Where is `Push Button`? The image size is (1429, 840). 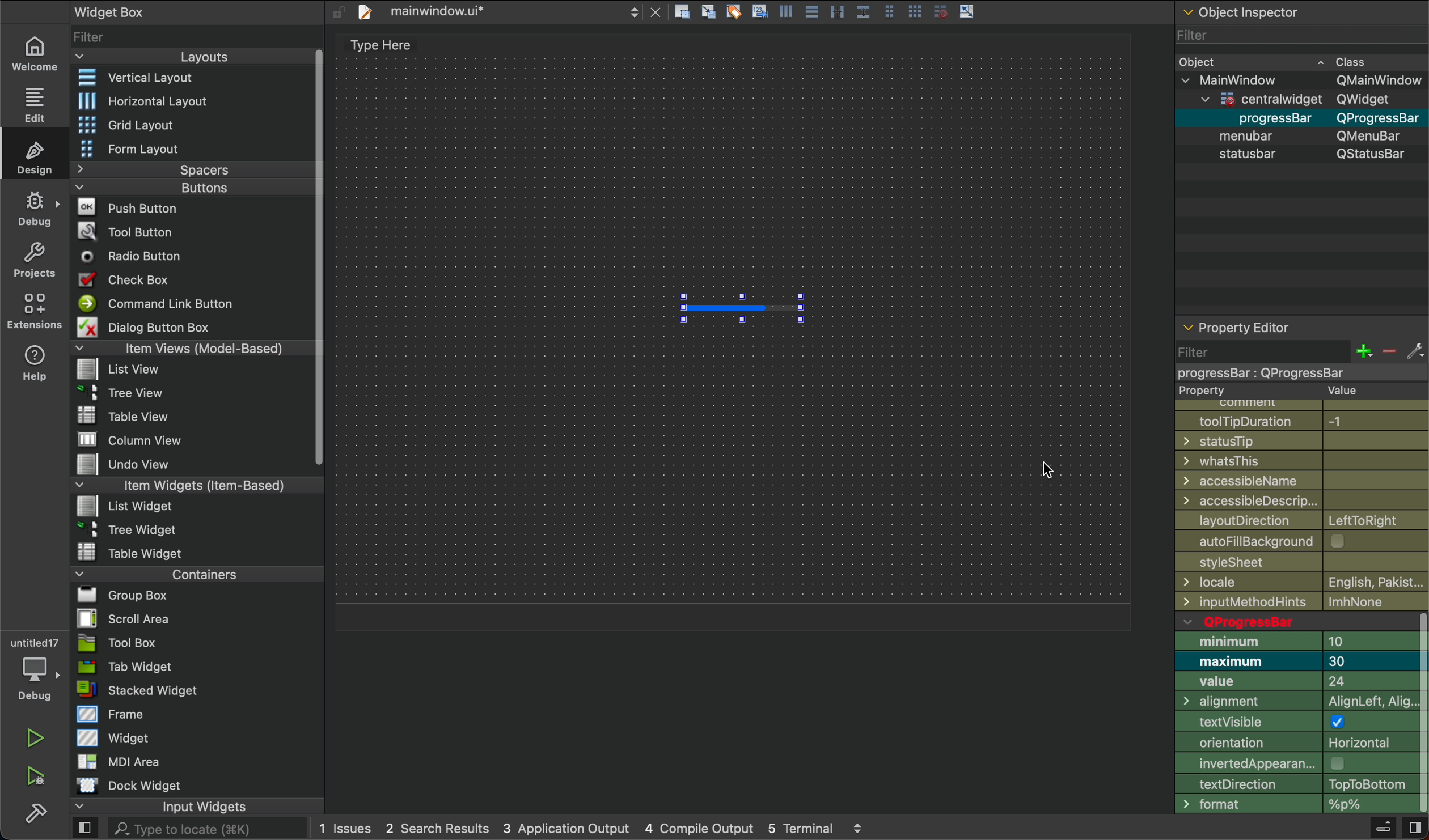 Push Button is located at coordinates (132, 206).